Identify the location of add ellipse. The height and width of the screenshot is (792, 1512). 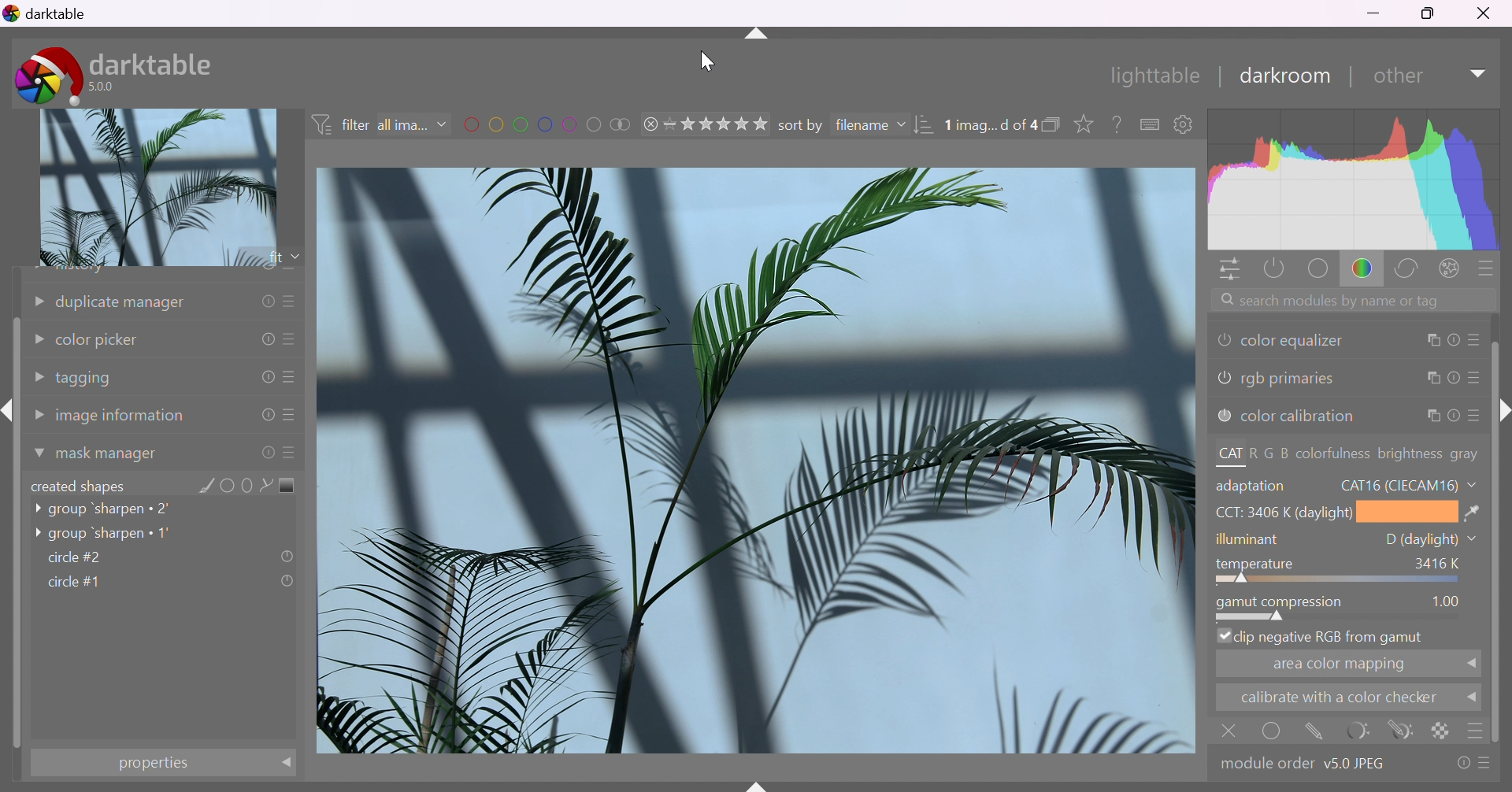
(243, 483).